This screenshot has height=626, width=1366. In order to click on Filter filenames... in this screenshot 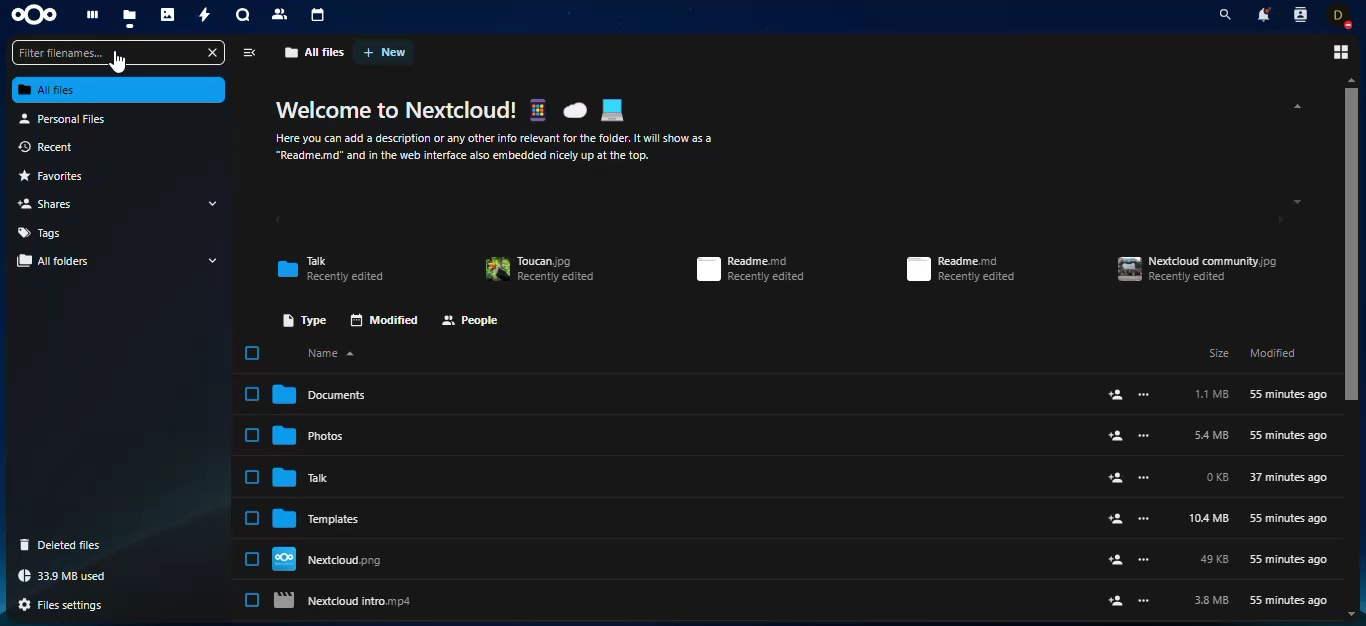, I will do `click(108, 53)`.